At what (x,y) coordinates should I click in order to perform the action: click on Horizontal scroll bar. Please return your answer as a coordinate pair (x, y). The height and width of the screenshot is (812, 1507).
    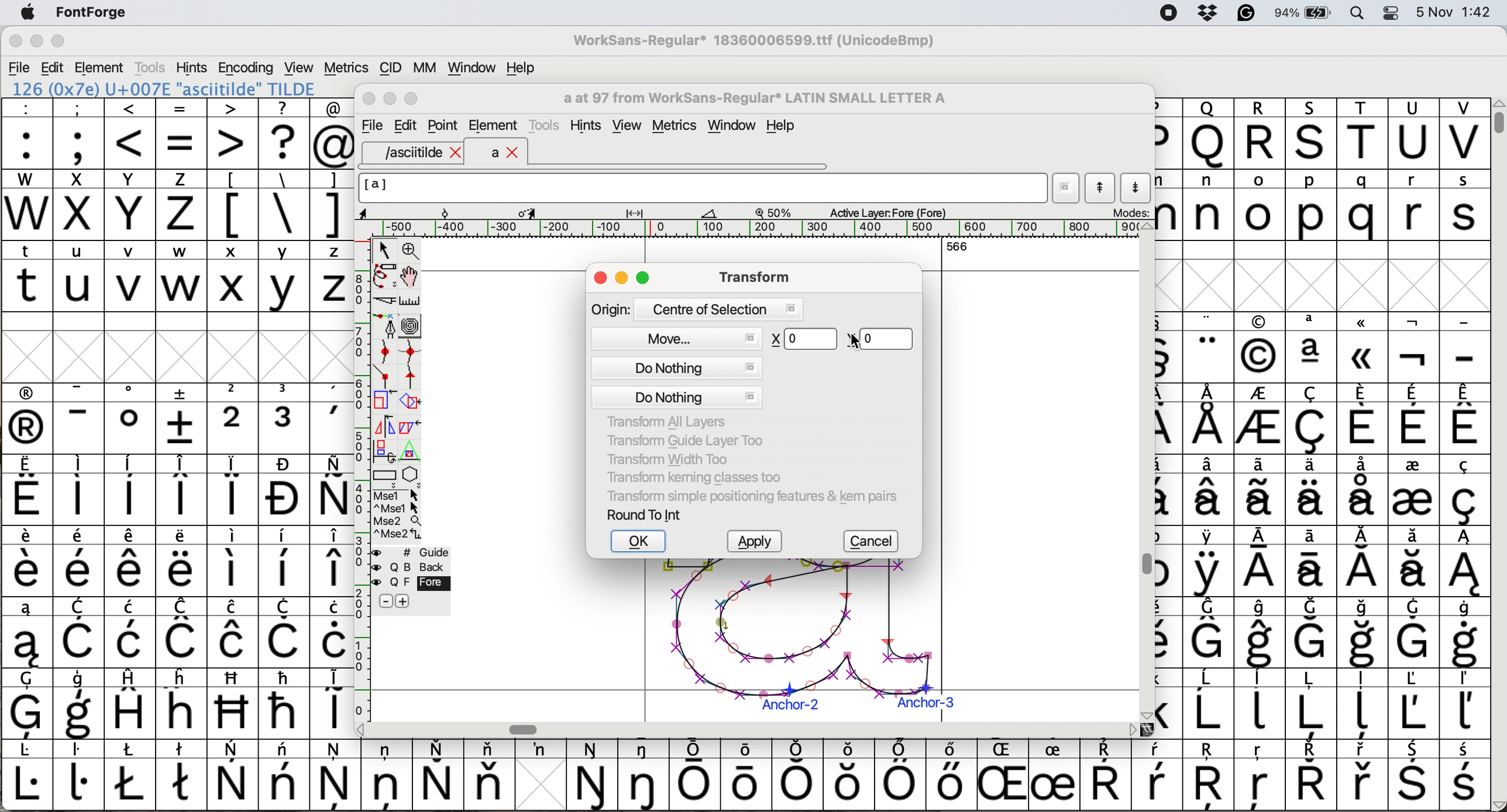
    Looking at the image, I should click on (527, 729).